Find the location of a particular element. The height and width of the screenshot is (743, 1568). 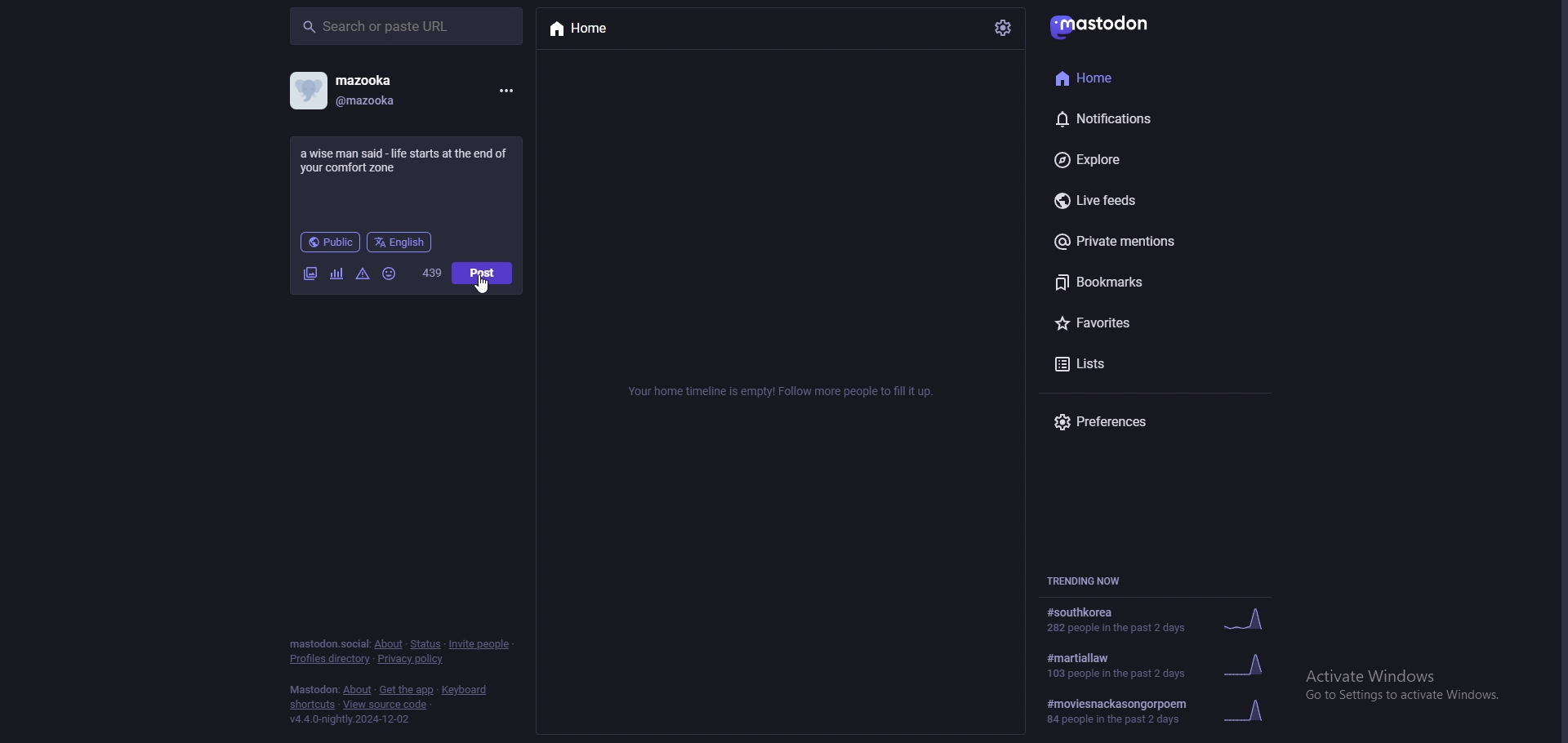

private mentions is located at coordinates (1140, 243).